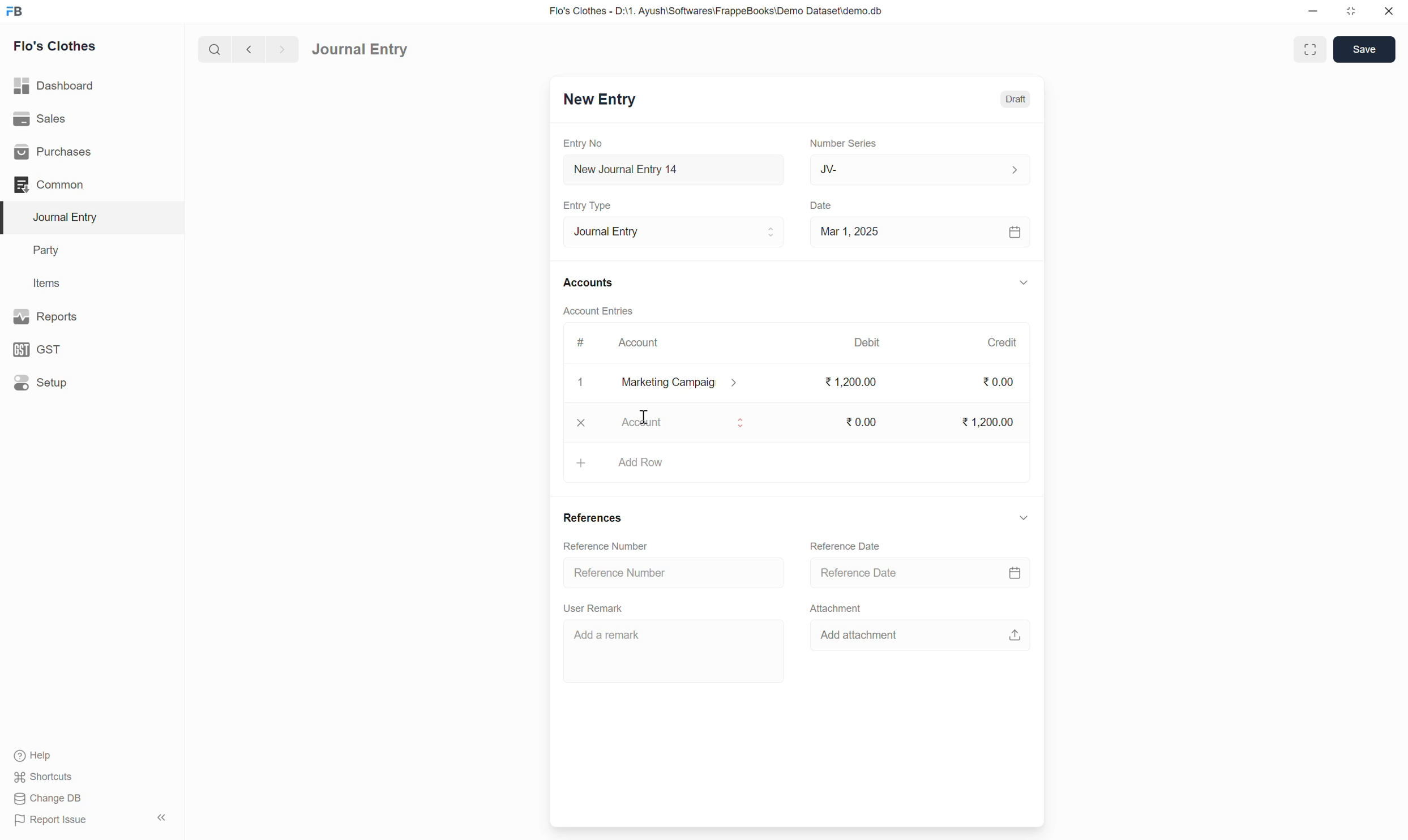 Image resolution: width=1408 pixels, height=840 pixels. Describe the element at coordinates (861, 572) in the screenshot. I see `Reference Date` at that location.